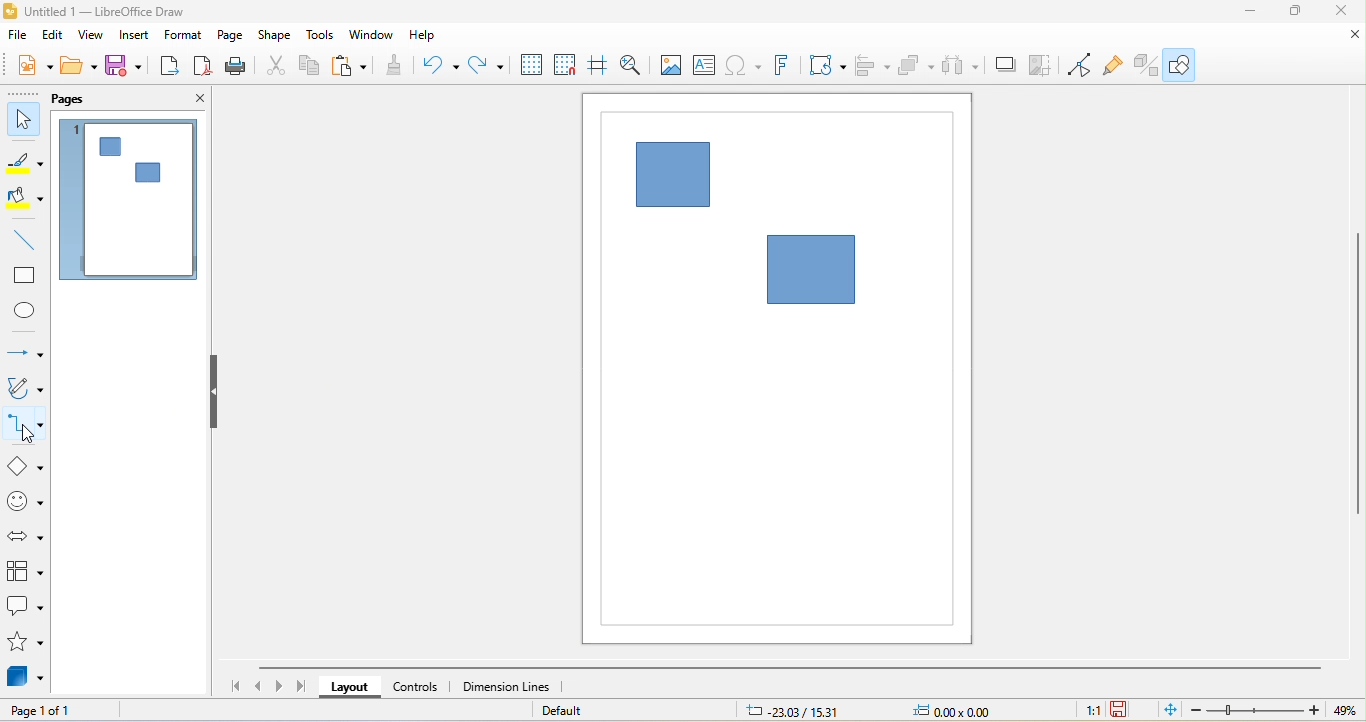 The width and height of the screenshot is (1366, 722). Describe the element at coordinates (425, 36) in the screenshot. I see `help` at that location.